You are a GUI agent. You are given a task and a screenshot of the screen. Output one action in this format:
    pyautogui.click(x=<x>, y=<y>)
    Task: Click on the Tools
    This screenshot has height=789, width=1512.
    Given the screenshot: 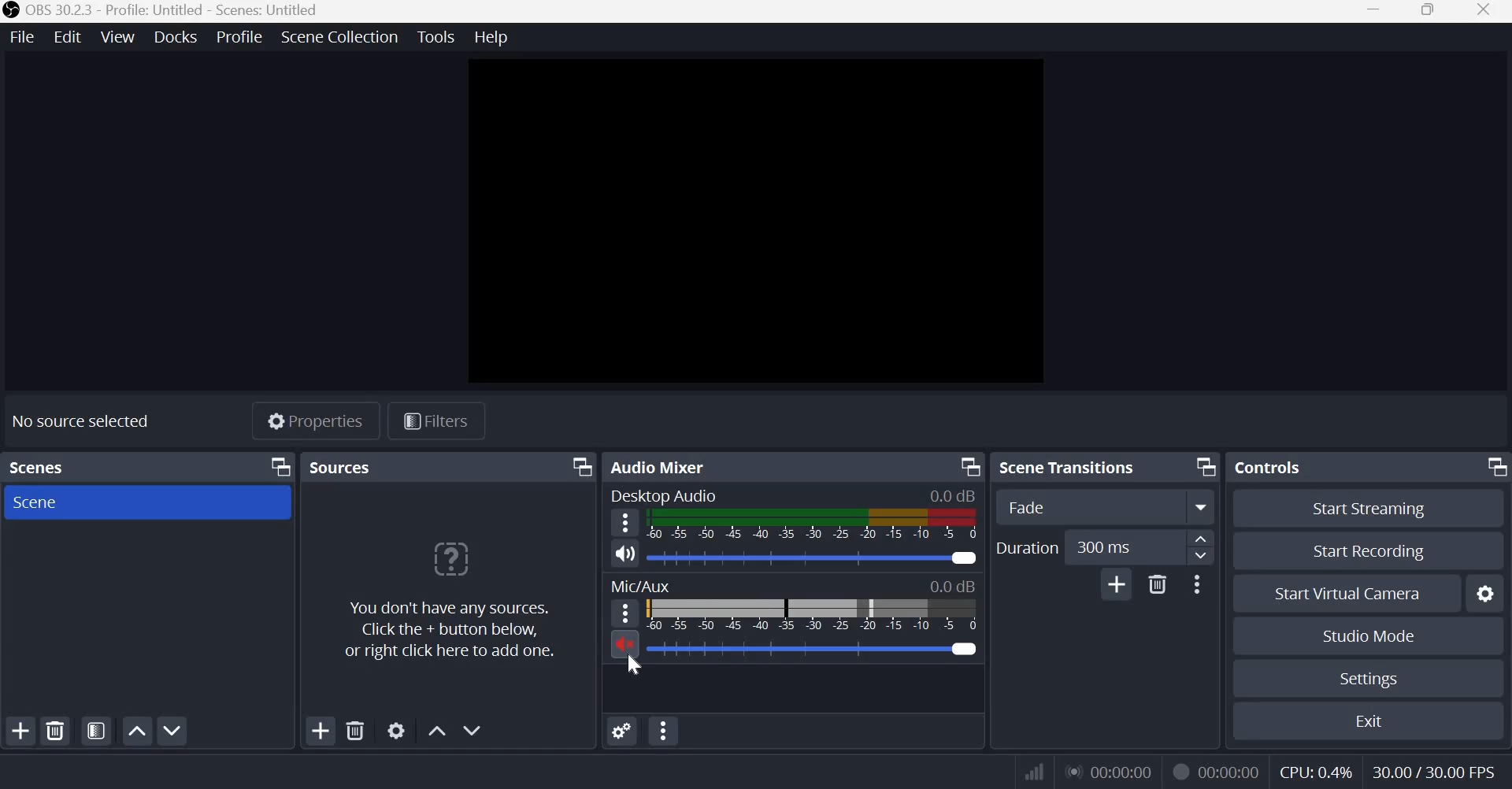 What is the action you would take?
    pyautogui.click(x=436, y=36)
    